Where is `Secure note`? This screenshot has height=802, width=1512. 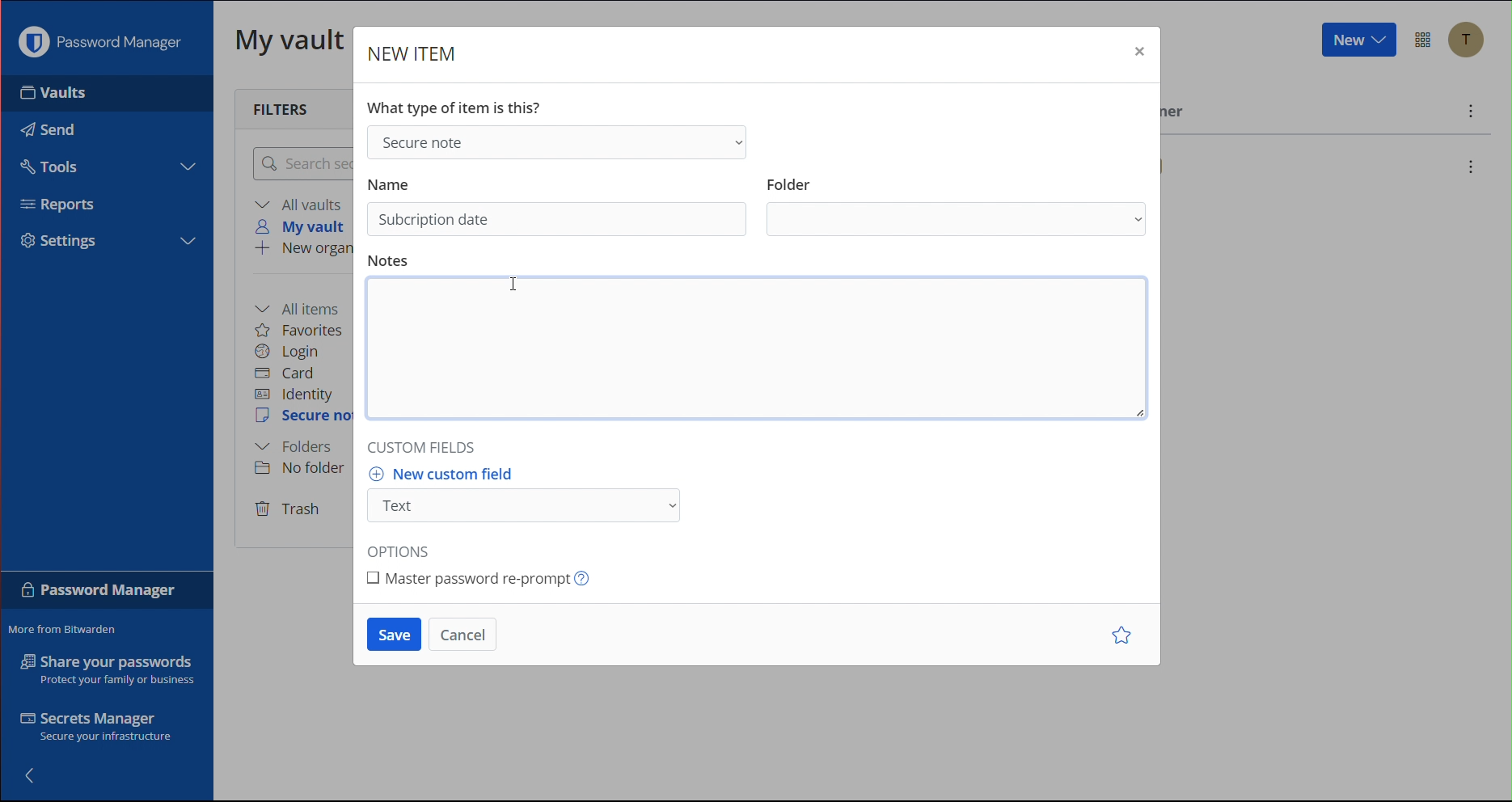
Secure note is located at coordinates (555, 141).